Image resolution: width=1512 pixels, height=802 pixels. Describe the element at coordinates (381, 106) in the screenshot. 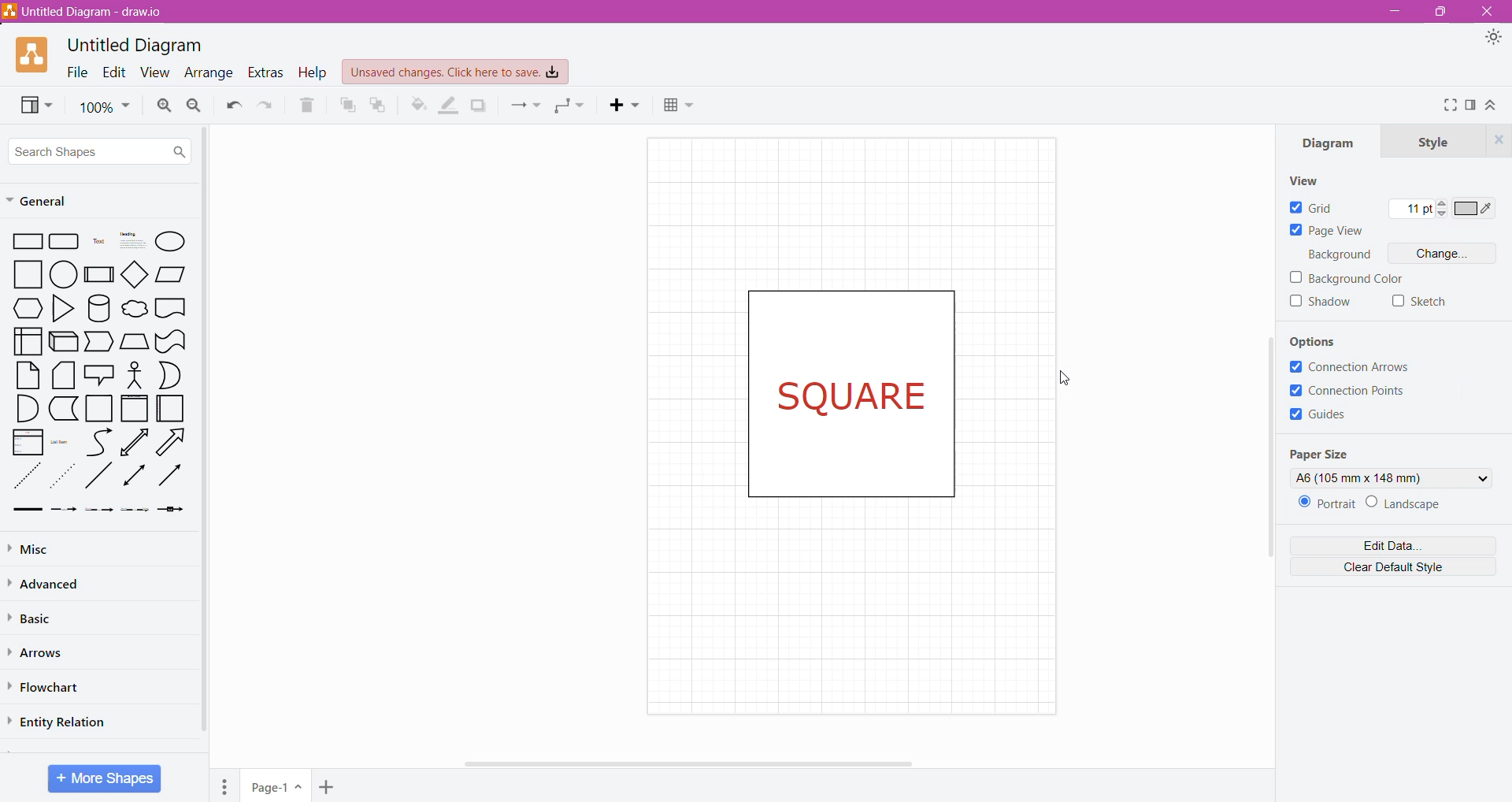

I see `To Back` at that location.